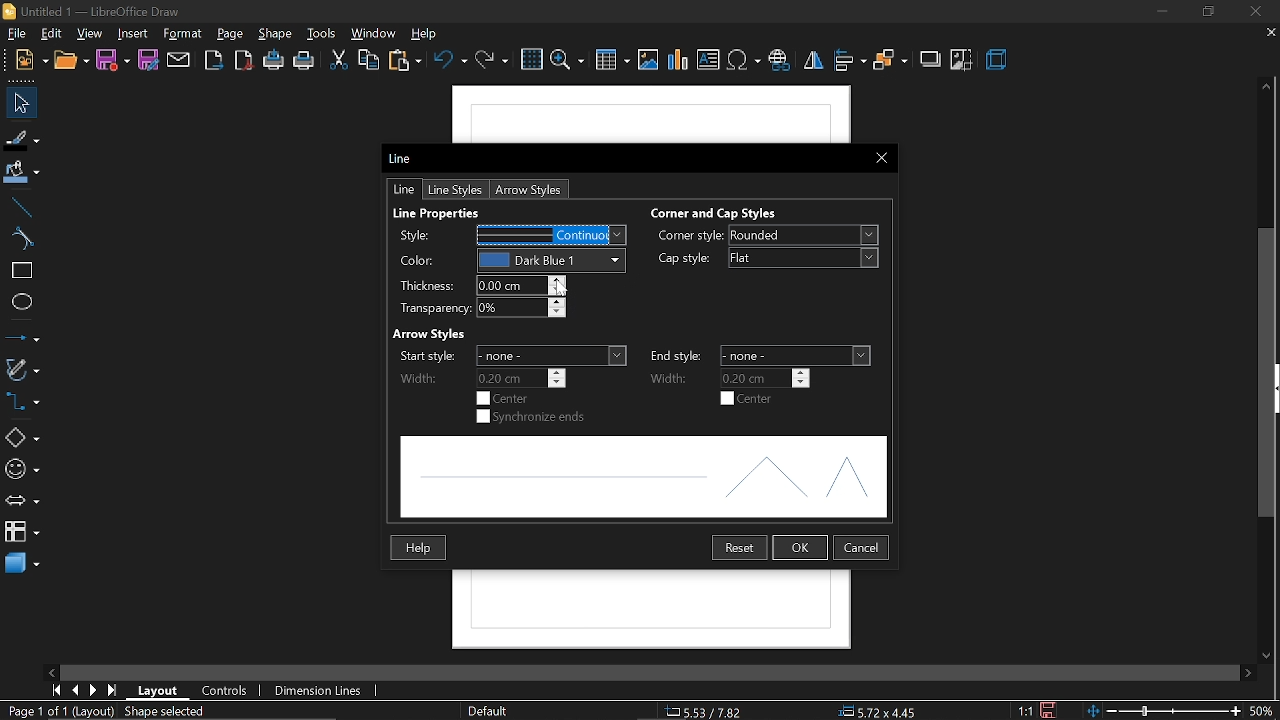 This screenshot has width=1280, height=720. I want to click on page style, so click(487, 709).